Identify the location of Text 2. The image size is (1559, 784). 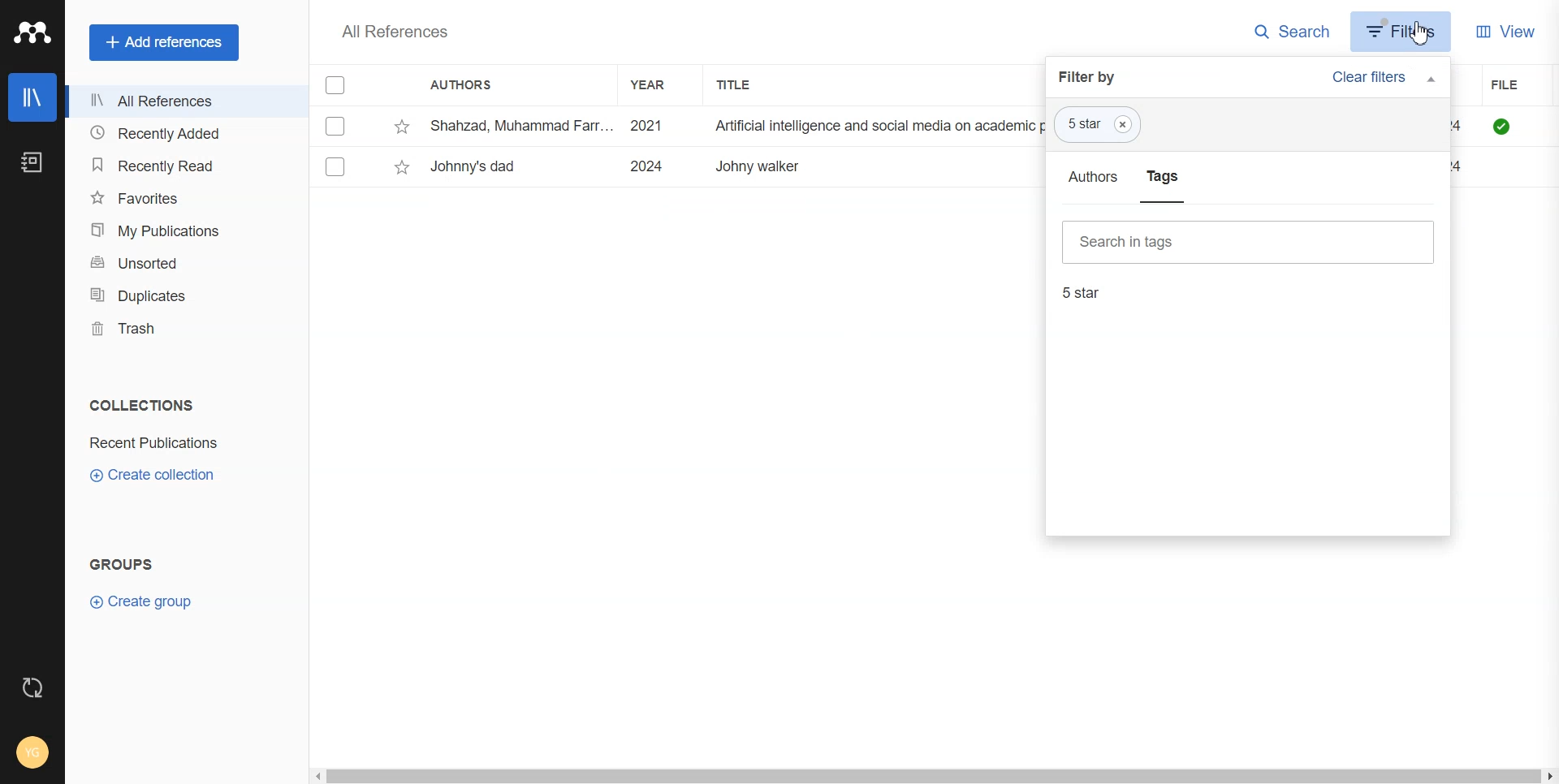
(122, 564).